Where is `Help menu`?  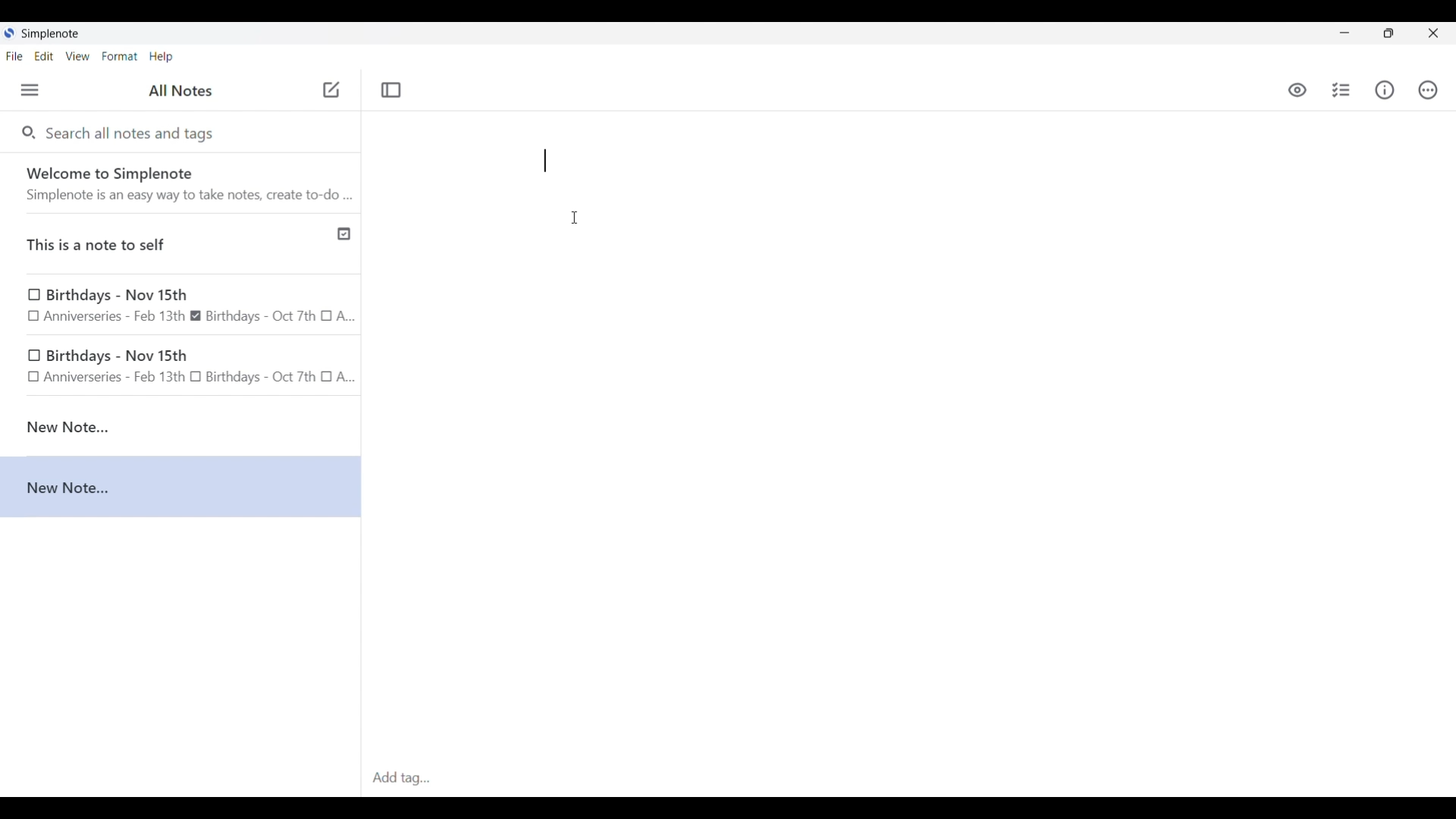
Help menu is located at coordinates (161, 56).